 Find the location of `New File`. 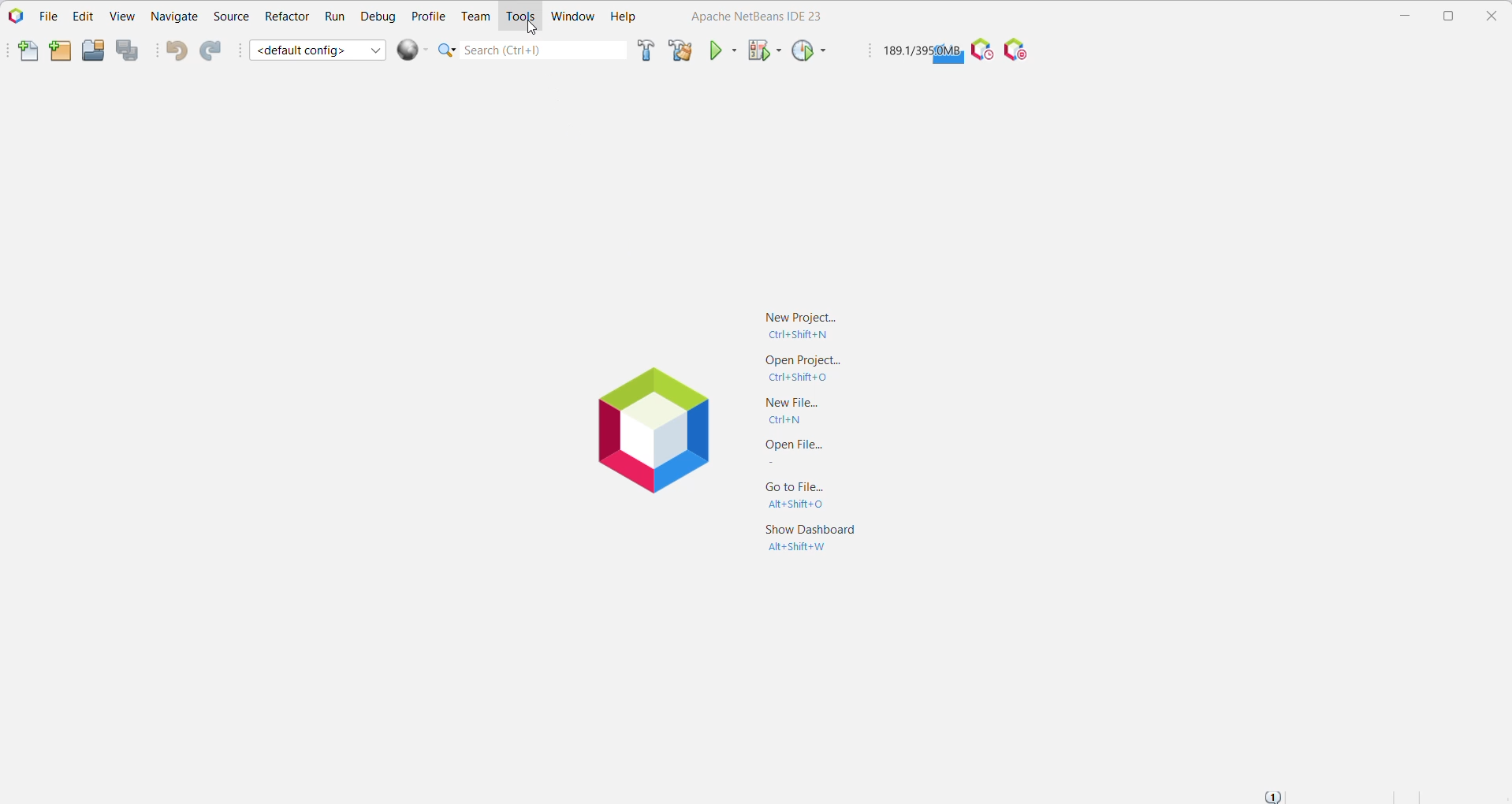

New File is located at coordinates (20, 52).